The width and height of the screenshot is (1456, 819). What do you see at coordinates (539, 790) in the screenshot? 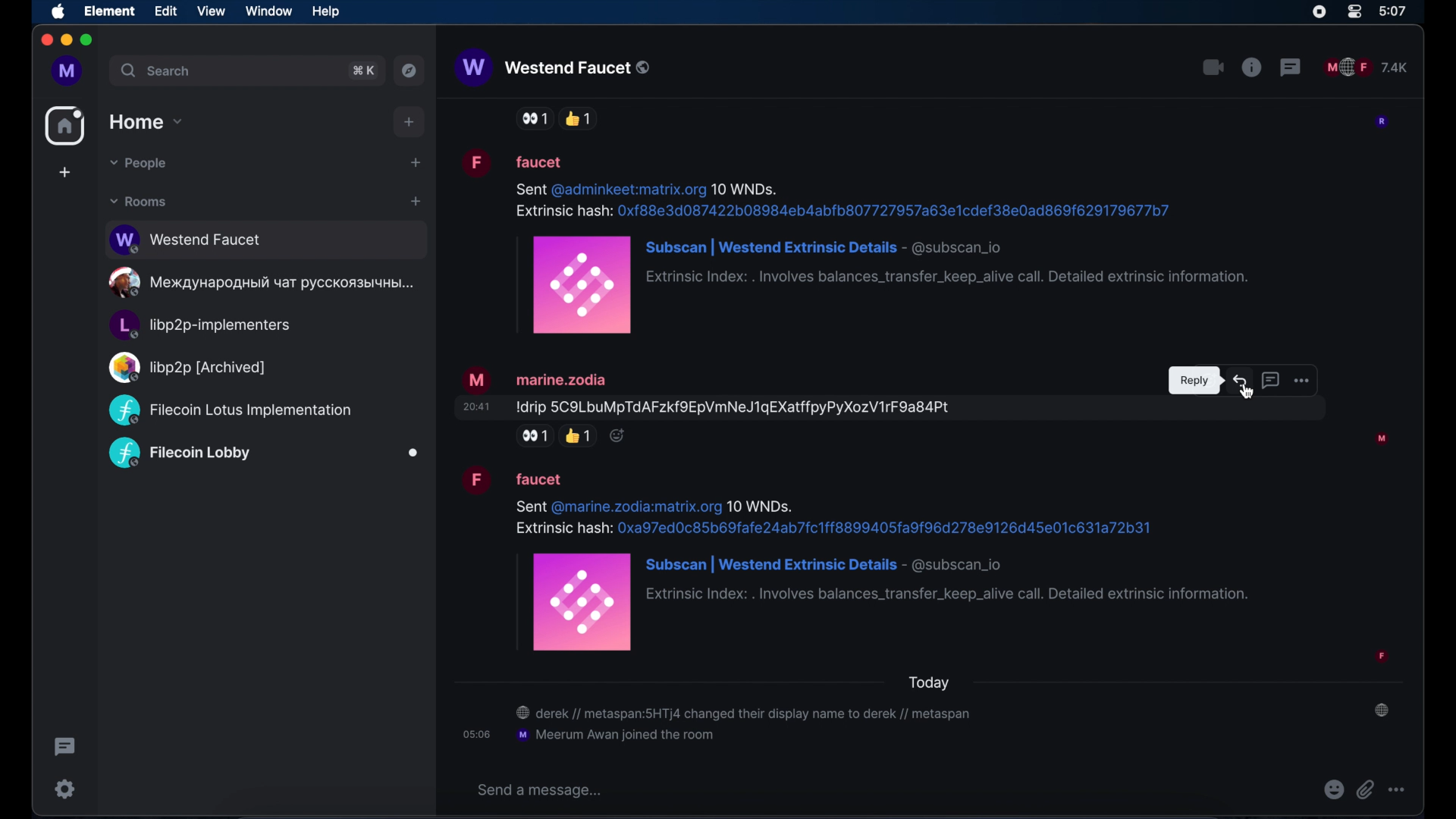
I see `send a message` at bounding box center [539, 790].